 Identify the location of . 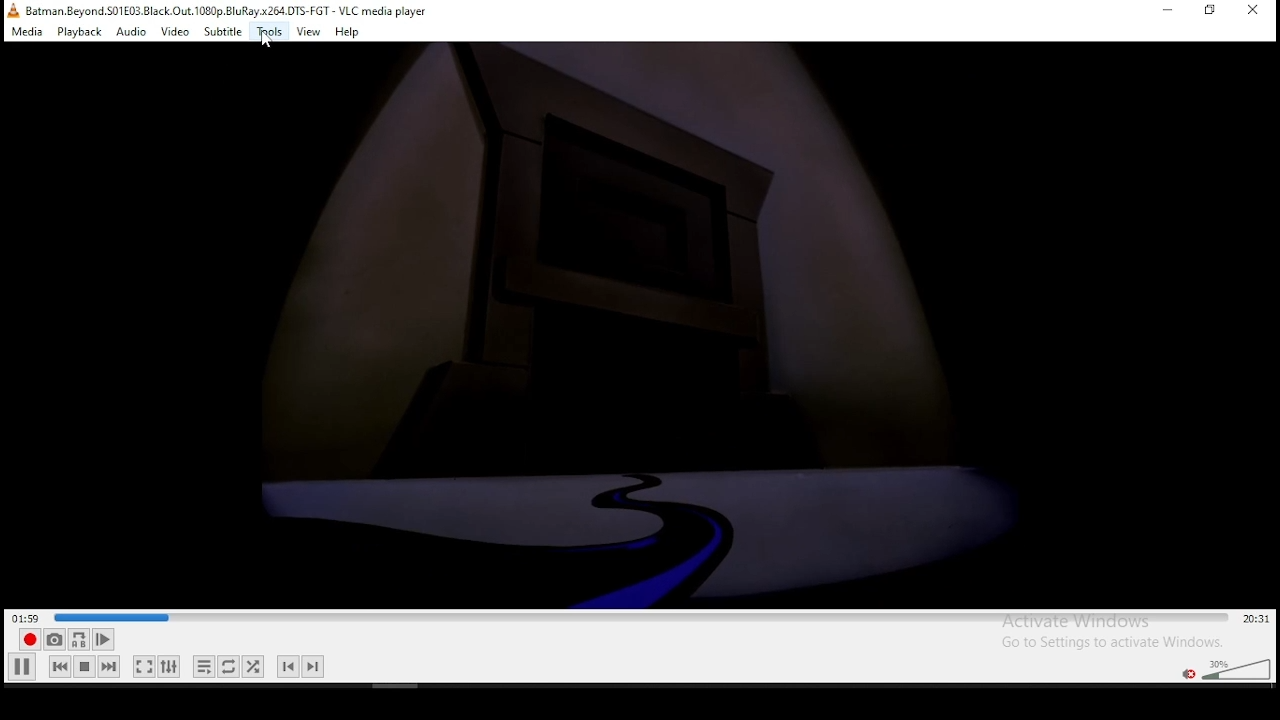
(646, 324).